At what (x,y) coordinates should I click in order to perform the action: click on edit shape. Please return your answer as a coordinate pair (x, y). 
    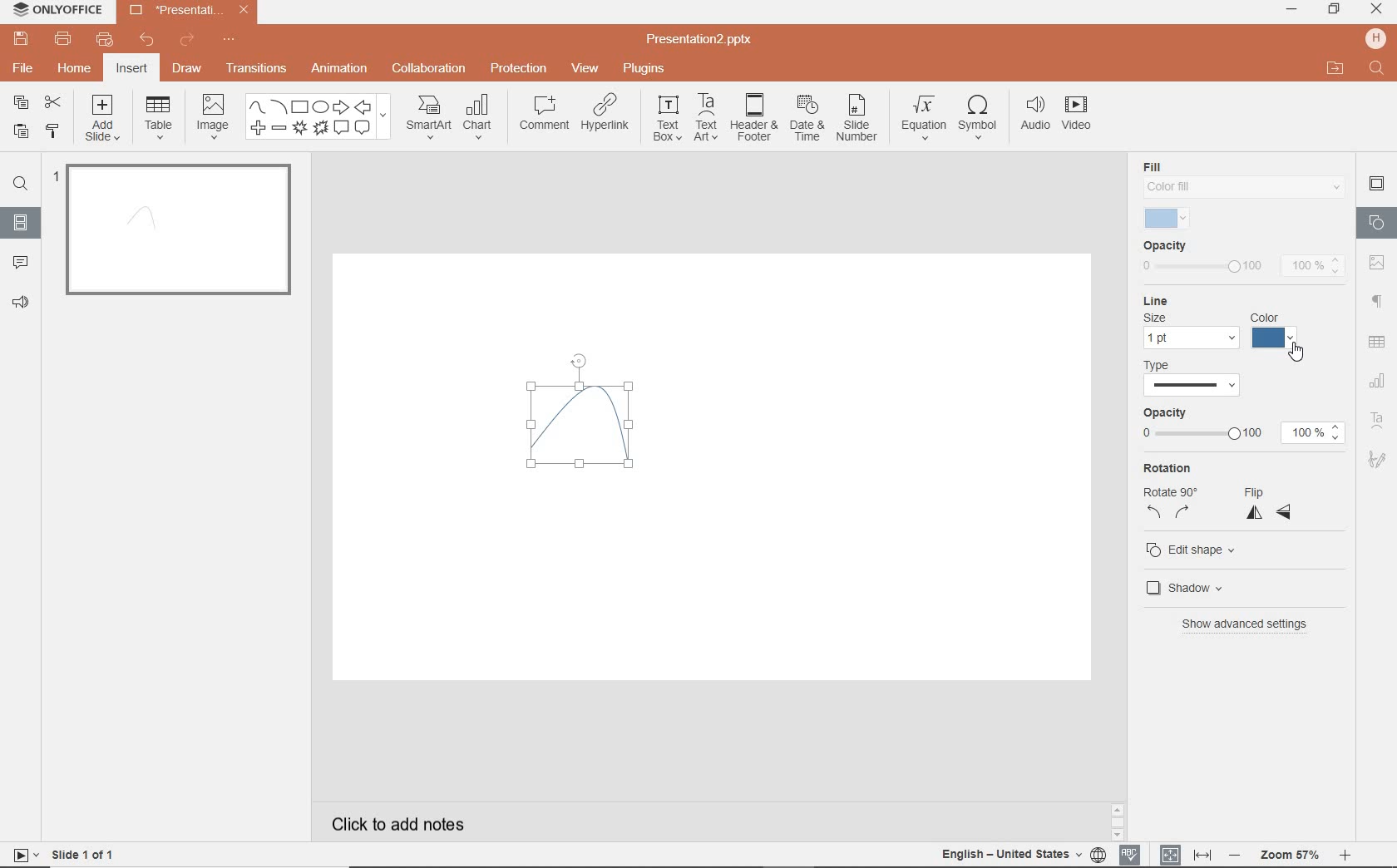
    Looking at the image, I should click on (1196, 550).